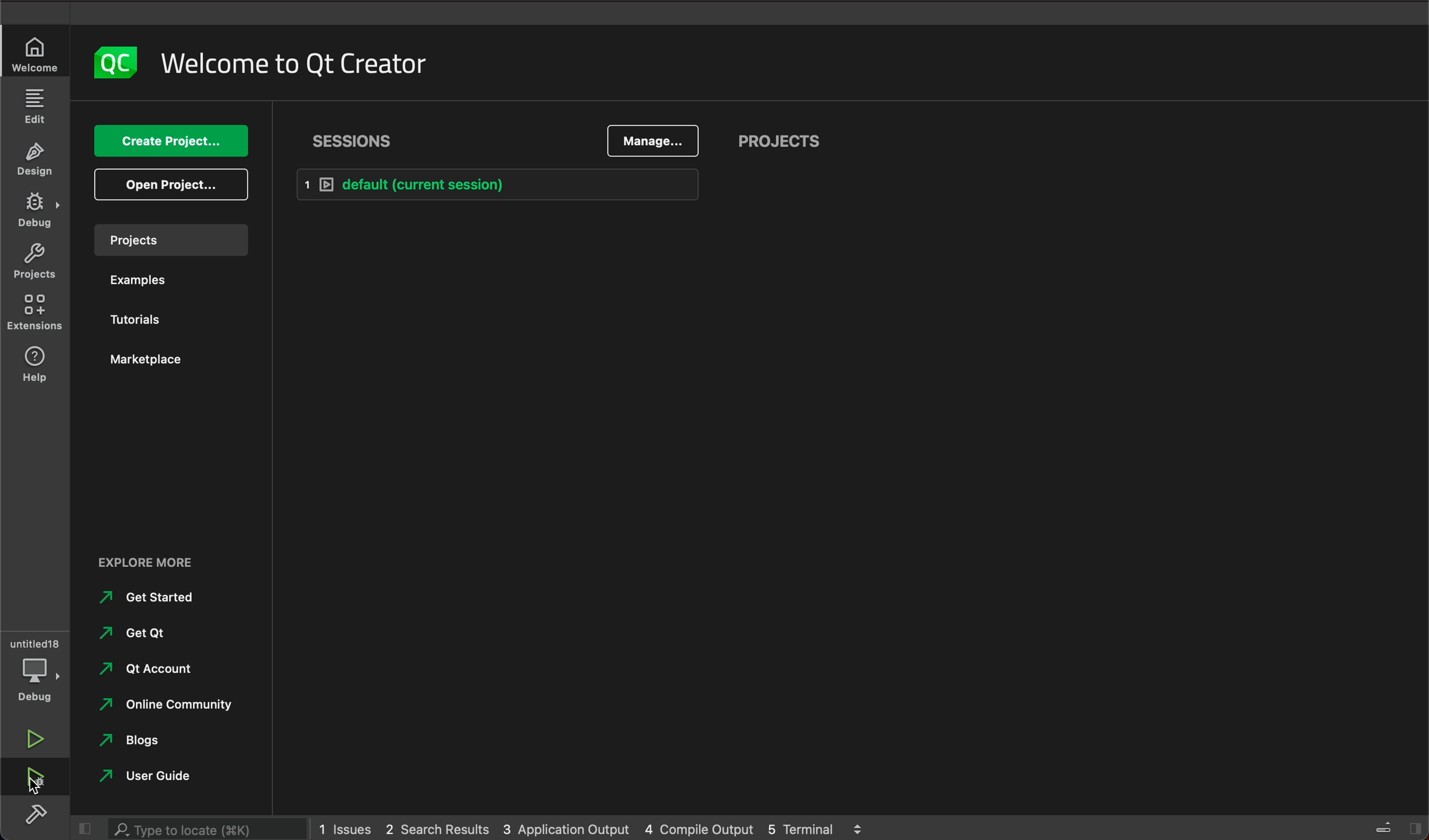 This screenshot has width=1429, height=840. What do you see at coordinates (436, 830) in the screenshot?
I see `2 search result` at bounding box center [436, 830].